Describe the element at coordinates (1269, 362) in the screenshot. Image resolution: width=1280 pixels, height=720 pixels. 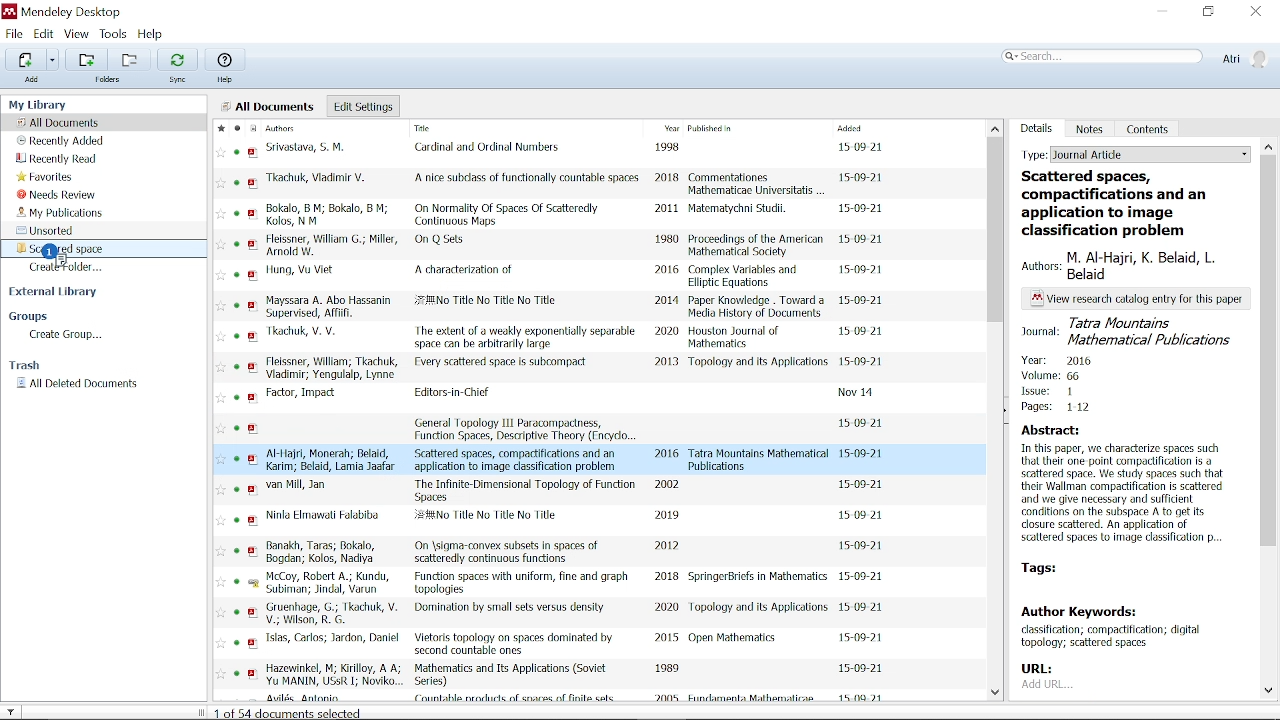
I see `Vertical scrollbar for details` at that location.